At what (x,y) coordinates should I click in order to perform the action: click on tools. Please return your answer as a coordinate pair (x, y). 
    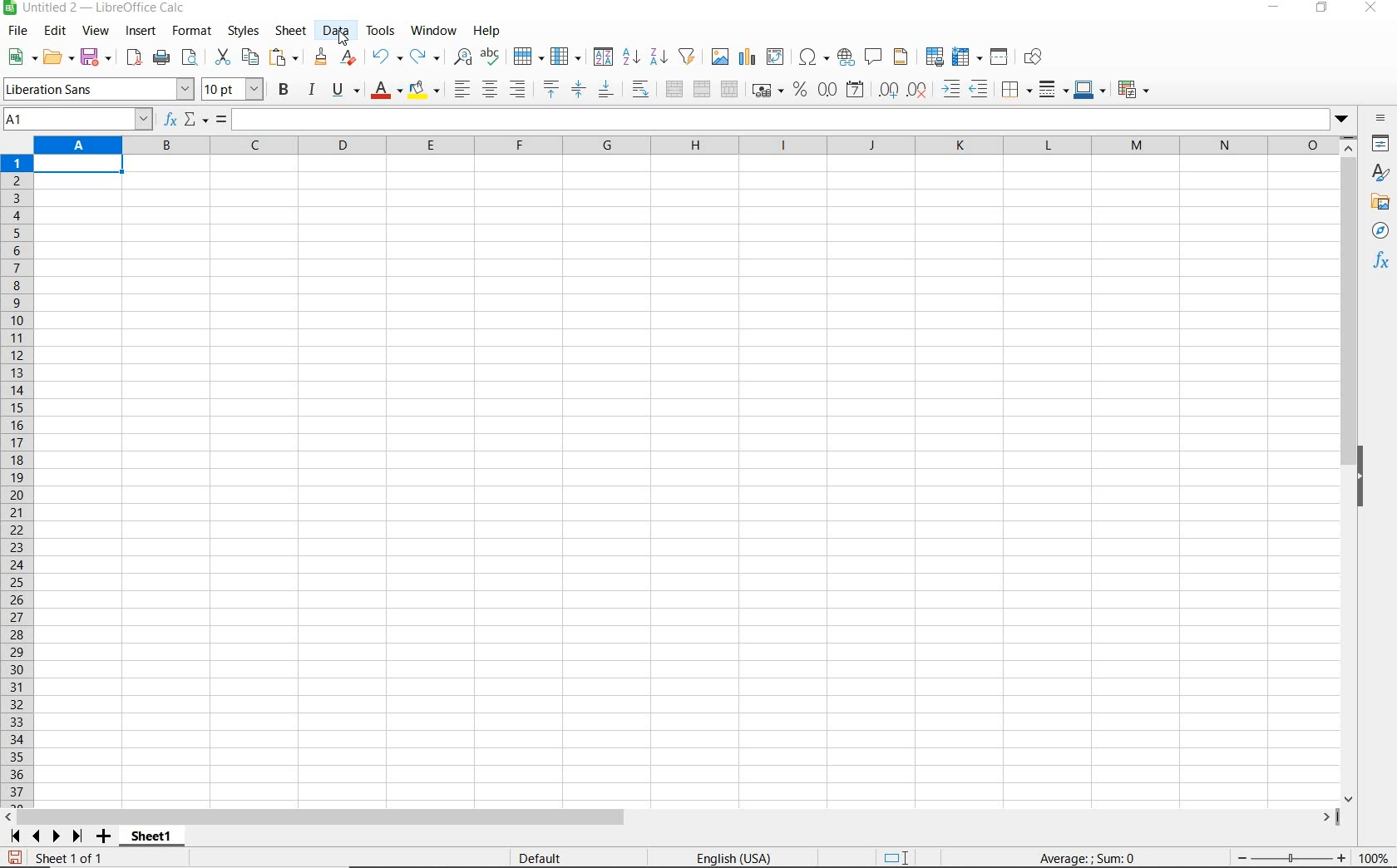
    Looking at the image, I should click on (382, 31).